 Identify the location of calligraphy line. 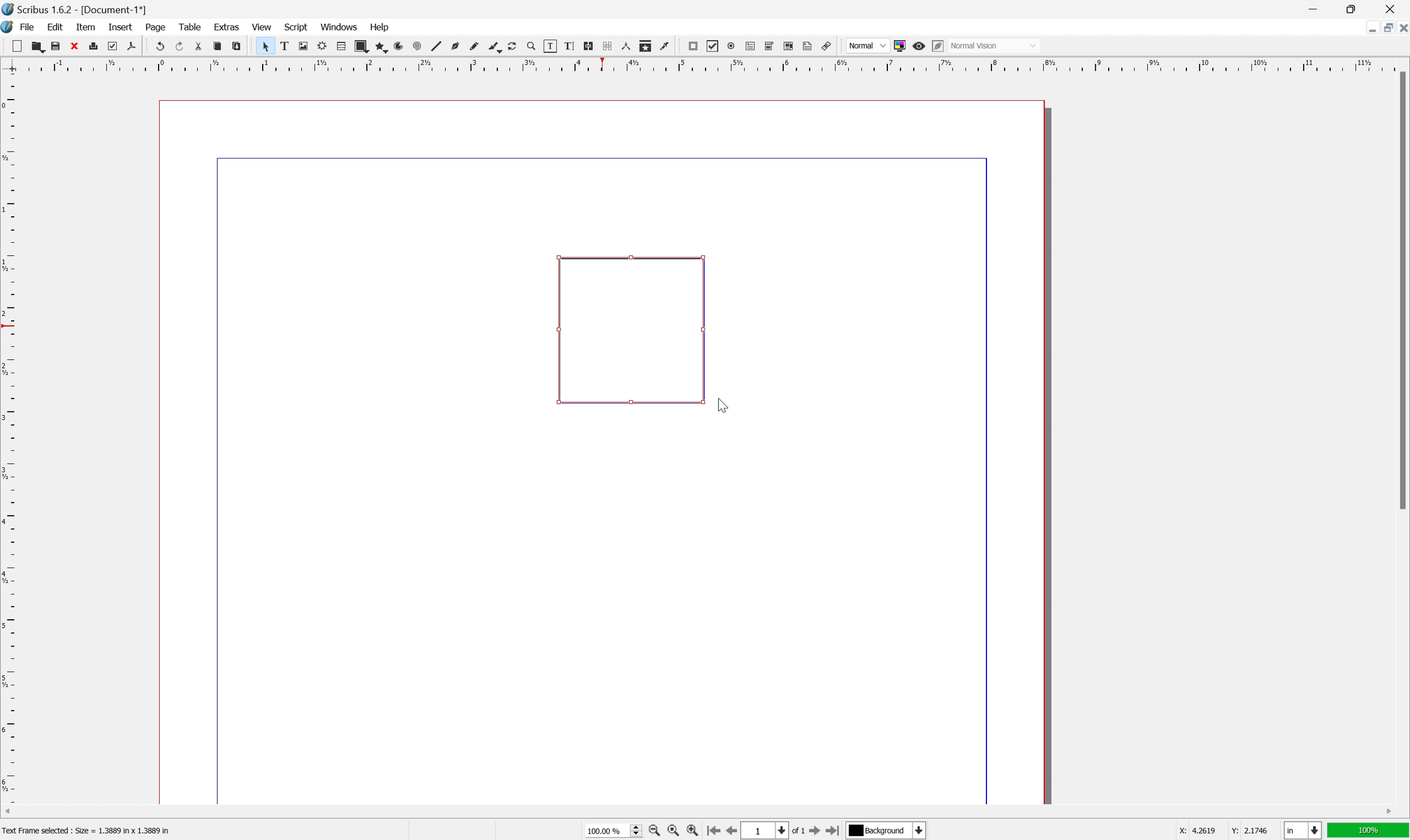
(494, 46).